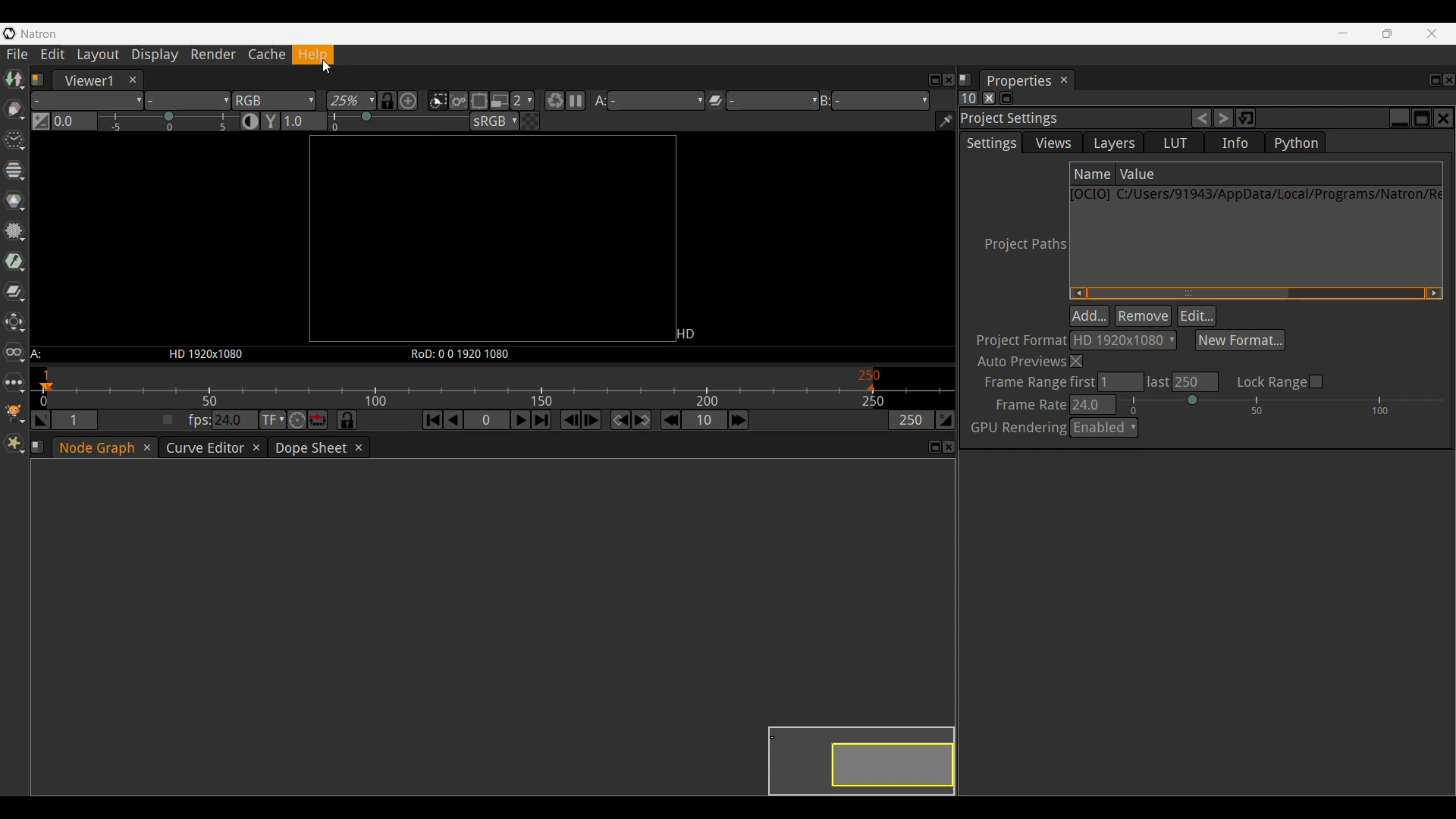  I want to click on Limits the proportion of the viewer that is kept updated, so click(479, 100).